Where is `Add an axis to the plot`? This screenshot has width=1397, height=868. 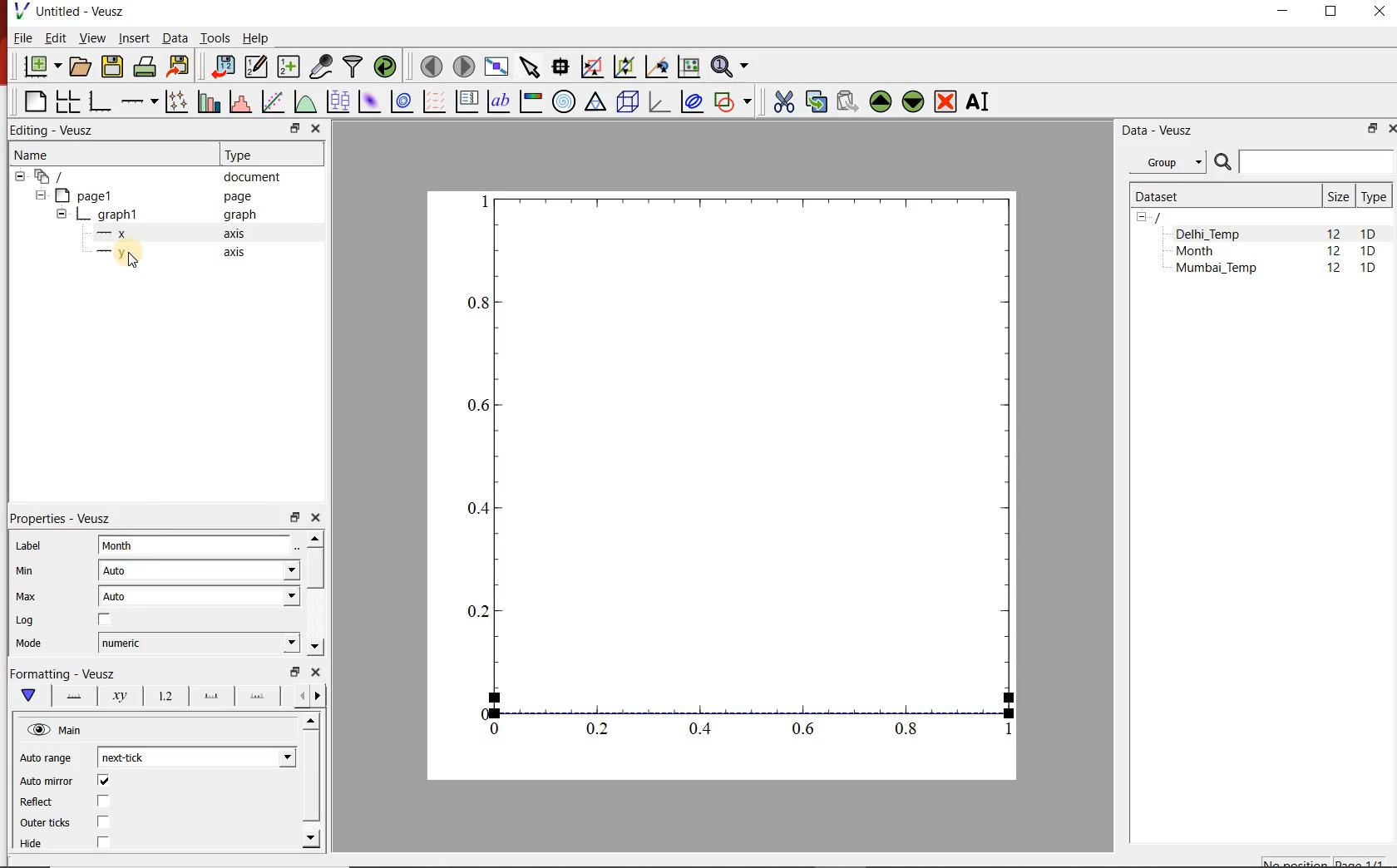 Add an axis to the plot is located at coordinates (137, 101).